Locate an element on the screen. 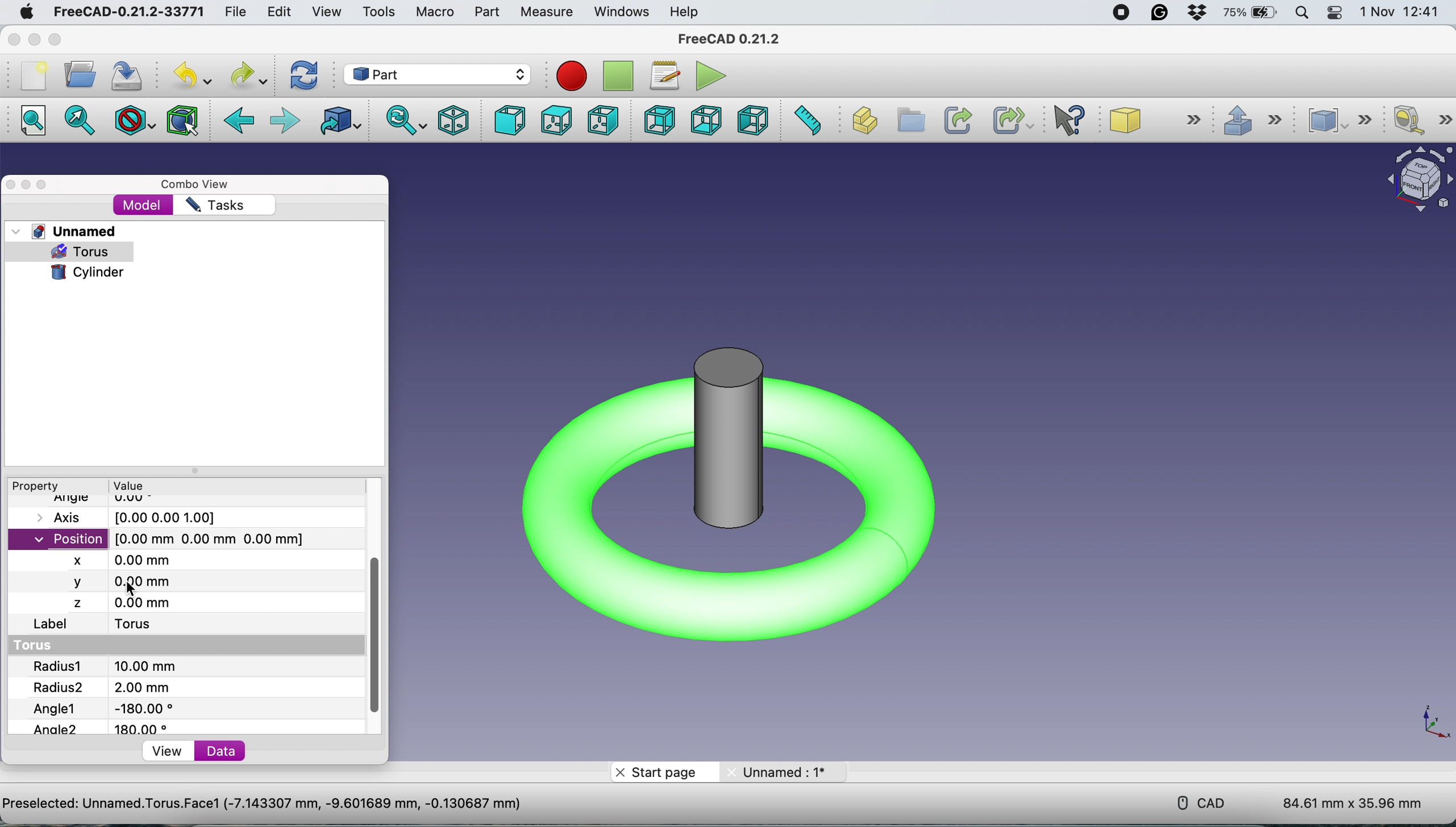 The height and width of the screenshot is (827, 1456). windows is located at coordinates (623, 12).